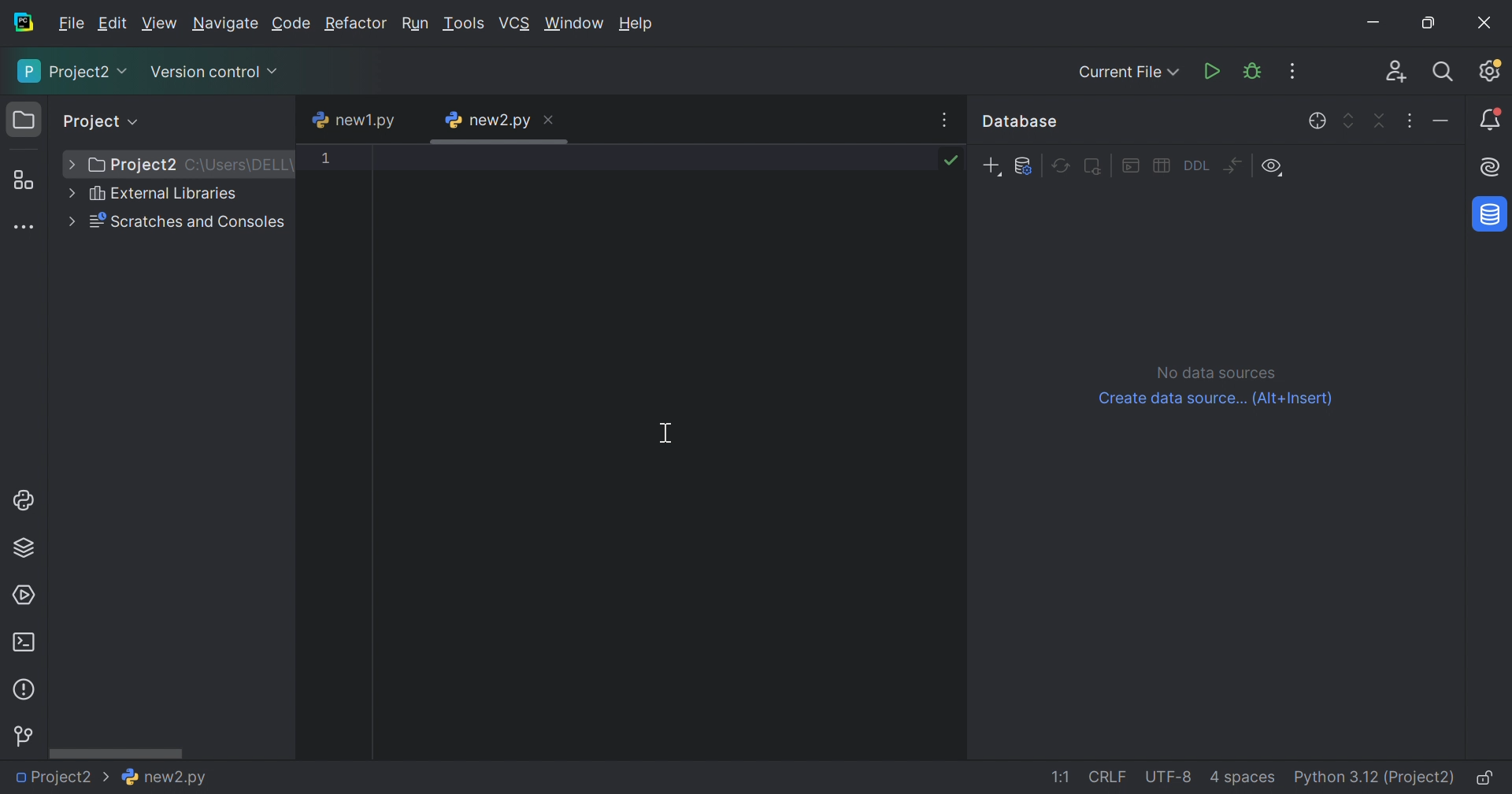 The height and width of the screenshot is (794, 1512). What do you see at coordinates (1129, 166) in the screenshot?
I see `Jump to Query Console` at bounding box center [1129, 166].